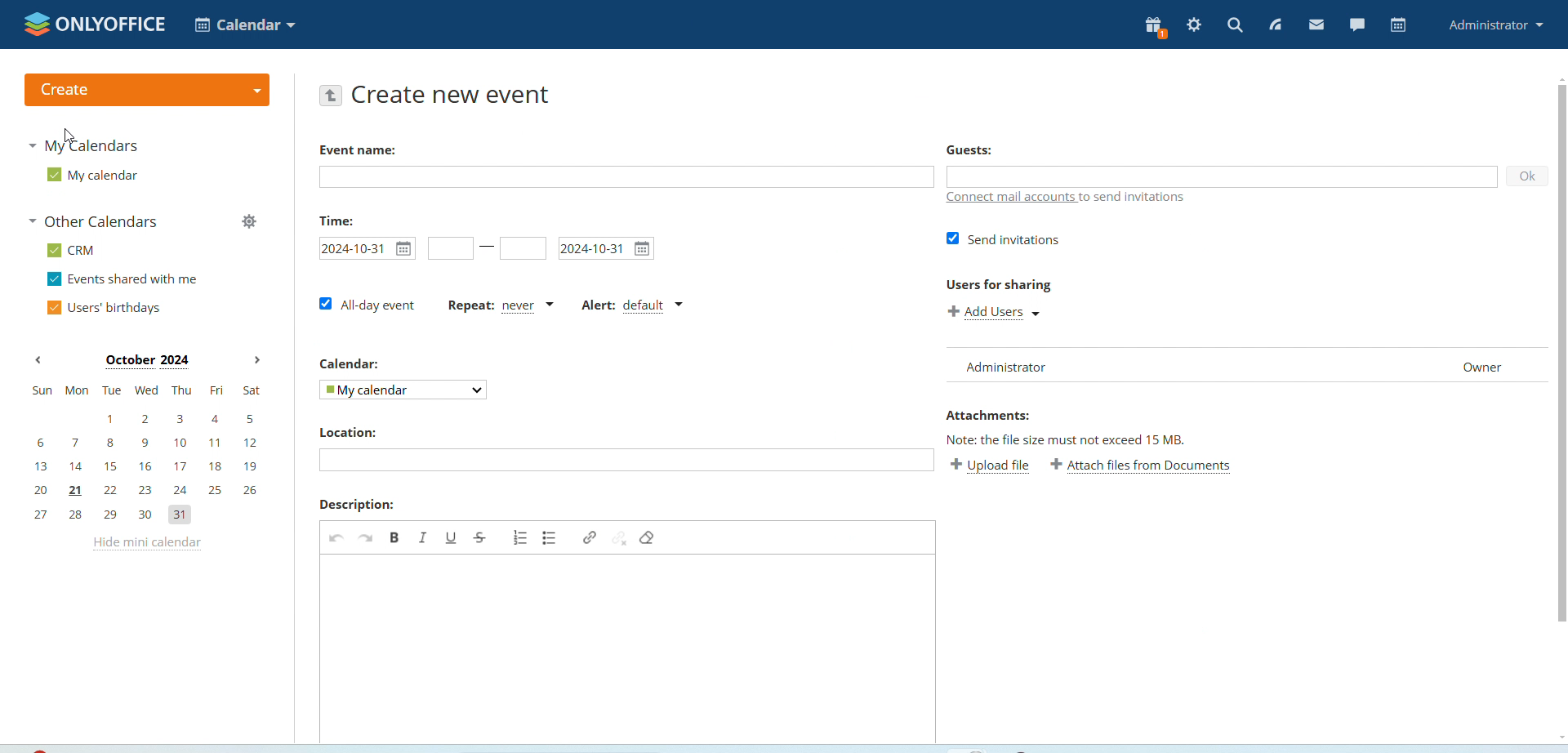  Describe the element at coordinates (331, 96) in the screenshot. I see `go back` at that location.